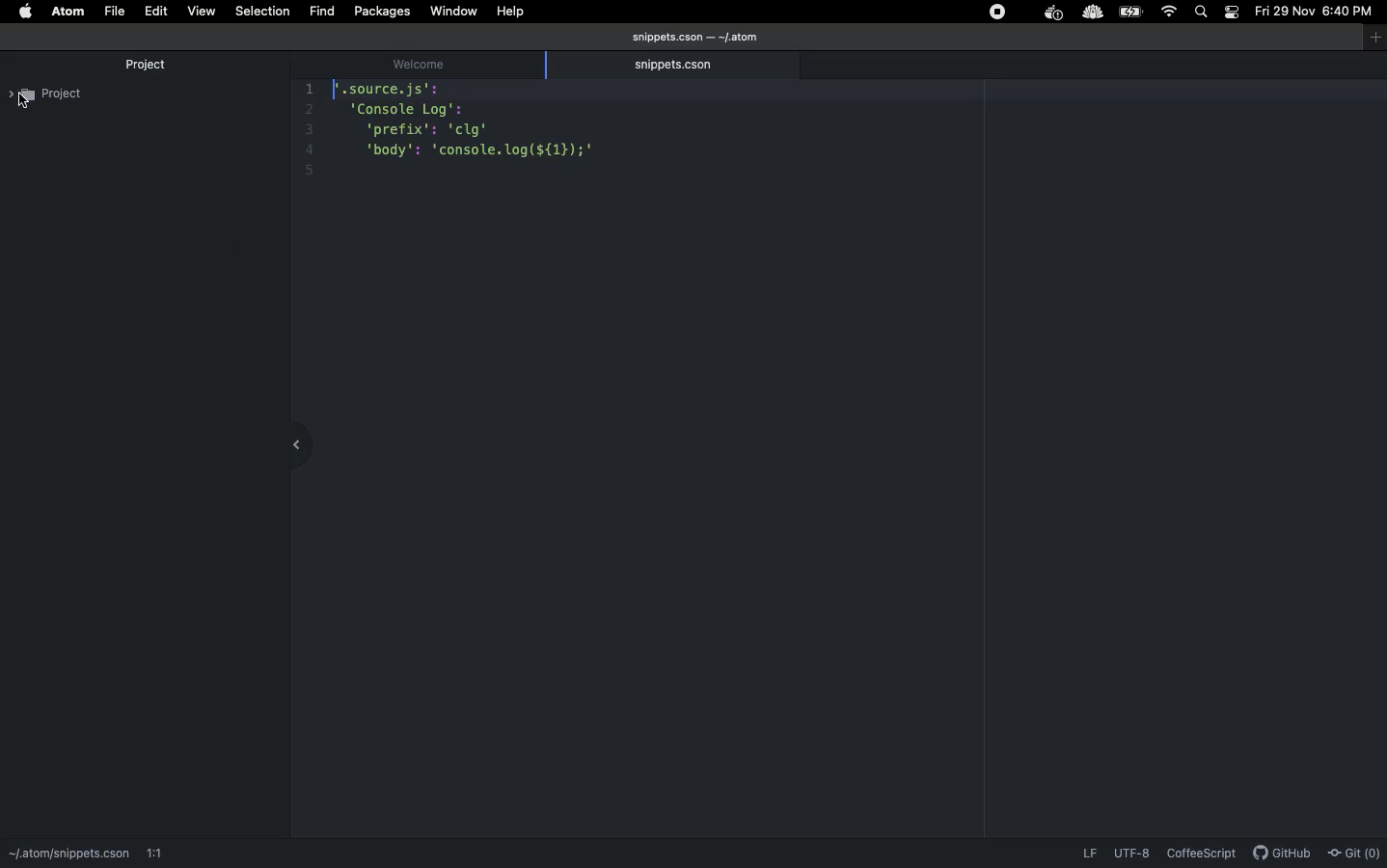 This screenshot has height=868, width=1387. I want to click on File, so click(115, 12).